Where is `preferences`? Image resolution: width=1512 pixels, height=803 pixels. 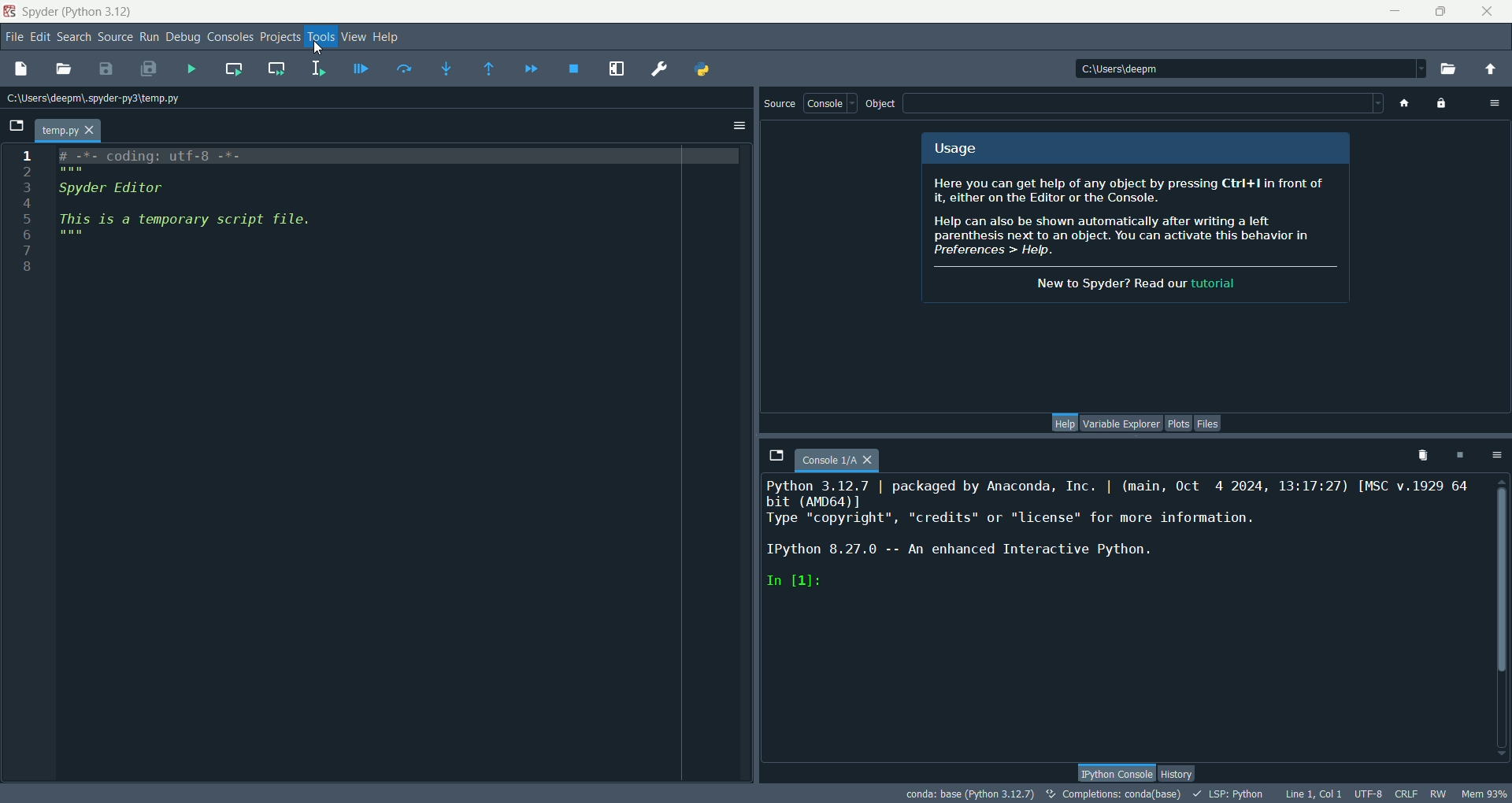 preferences is located at coordinates (658, 67).